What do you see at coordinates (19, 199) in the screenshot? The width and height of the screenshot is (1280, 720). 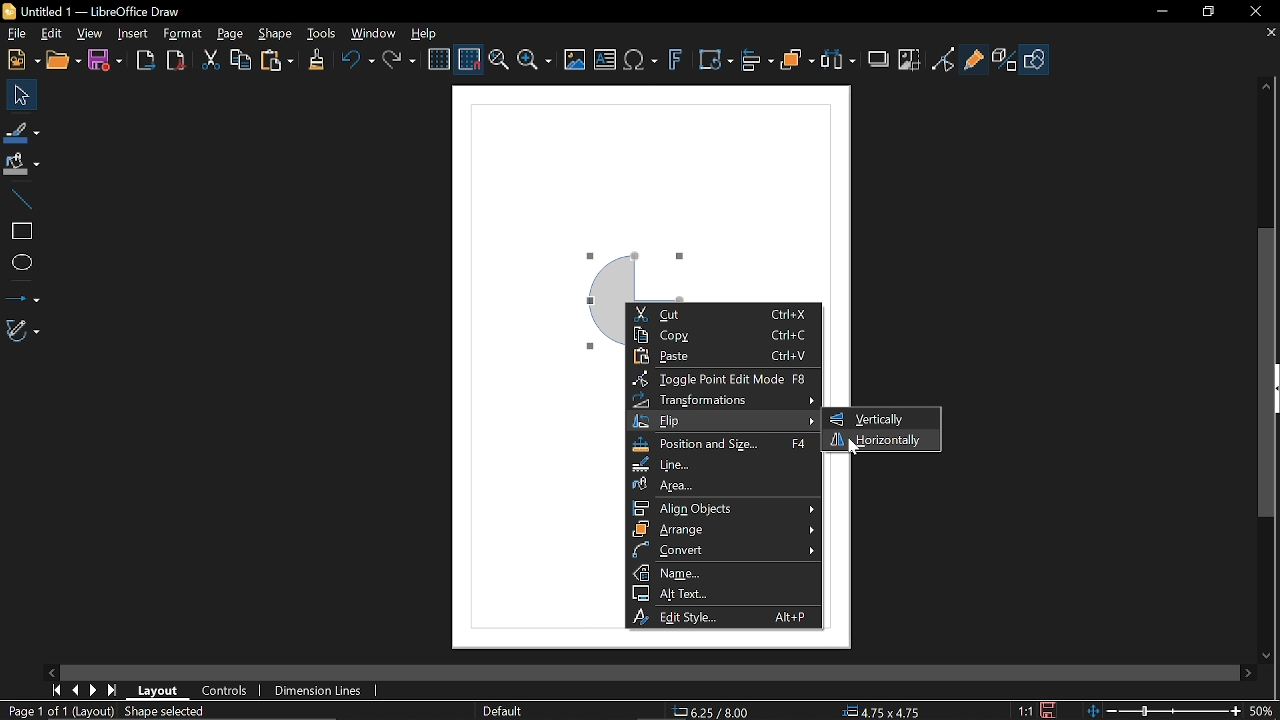 I see `Line` at bounding box center [19, 199].